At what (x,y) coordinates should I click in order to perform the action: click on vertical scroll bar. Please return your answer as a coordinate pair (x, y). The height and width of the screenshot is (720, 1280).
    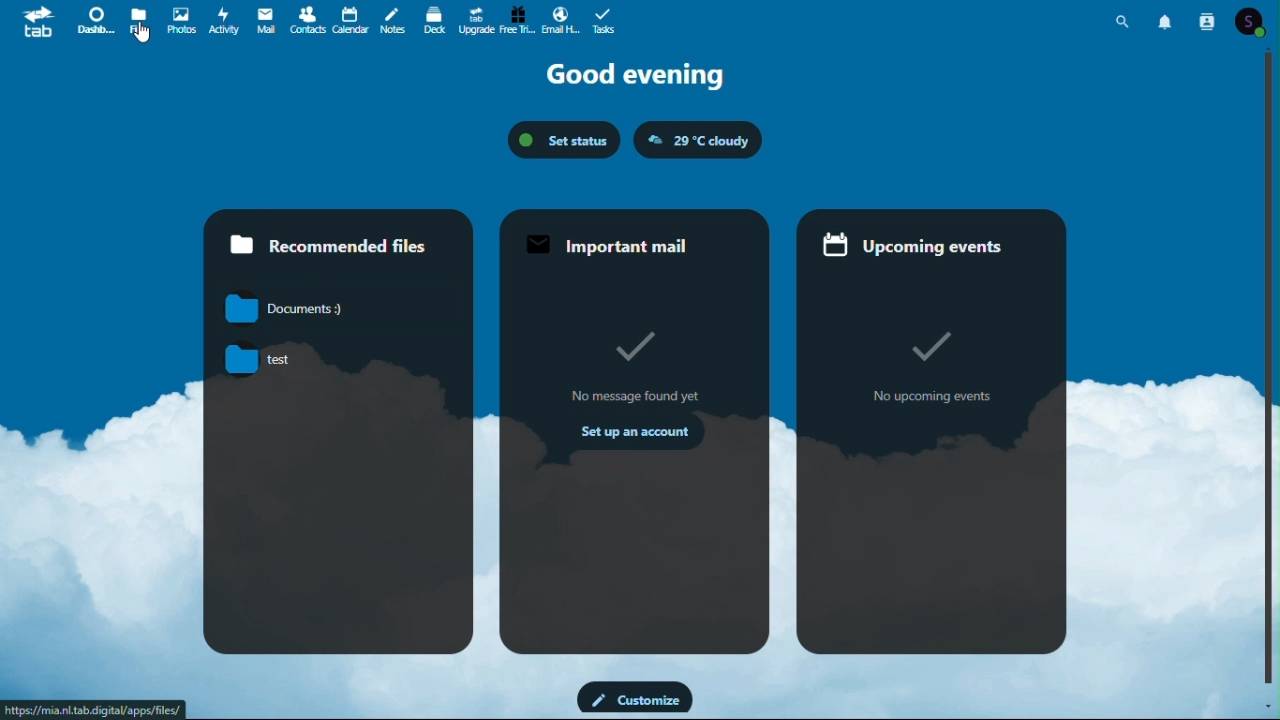
    Looking at the image, I should click on (1272, 373).